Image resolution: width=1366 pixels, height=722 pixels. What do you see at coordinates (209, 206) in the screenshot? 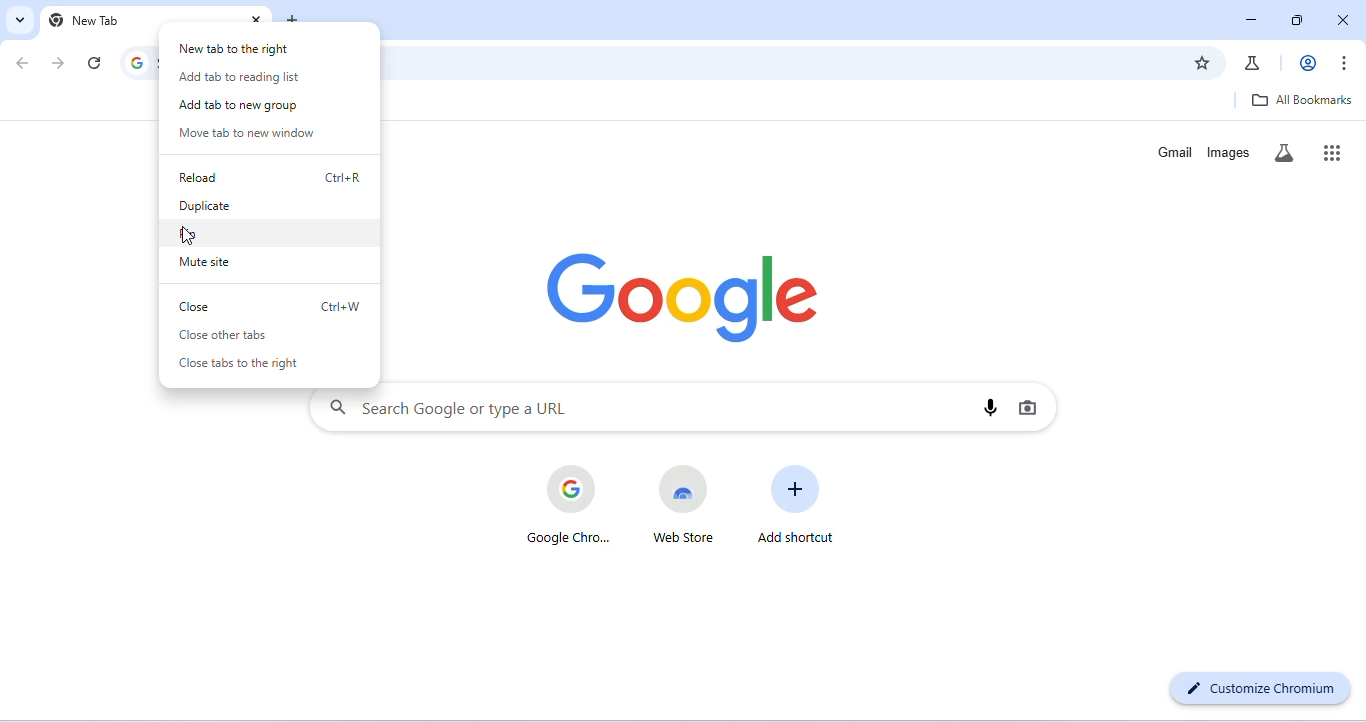
I see `duplicate` at bounding box center [209, 206].